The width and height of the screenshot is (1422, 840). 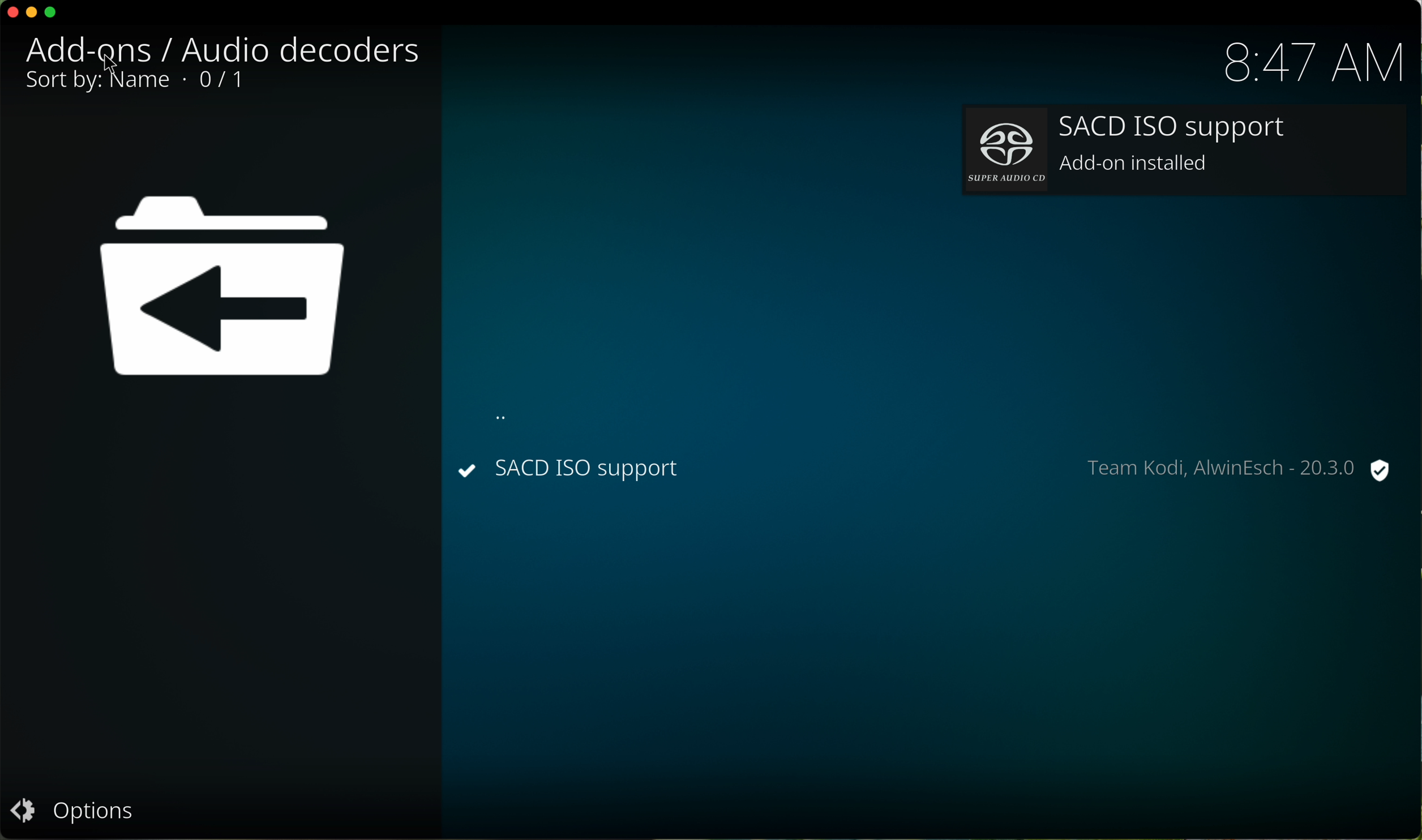 I want to click on 1/1, so click(x=222, y=80).